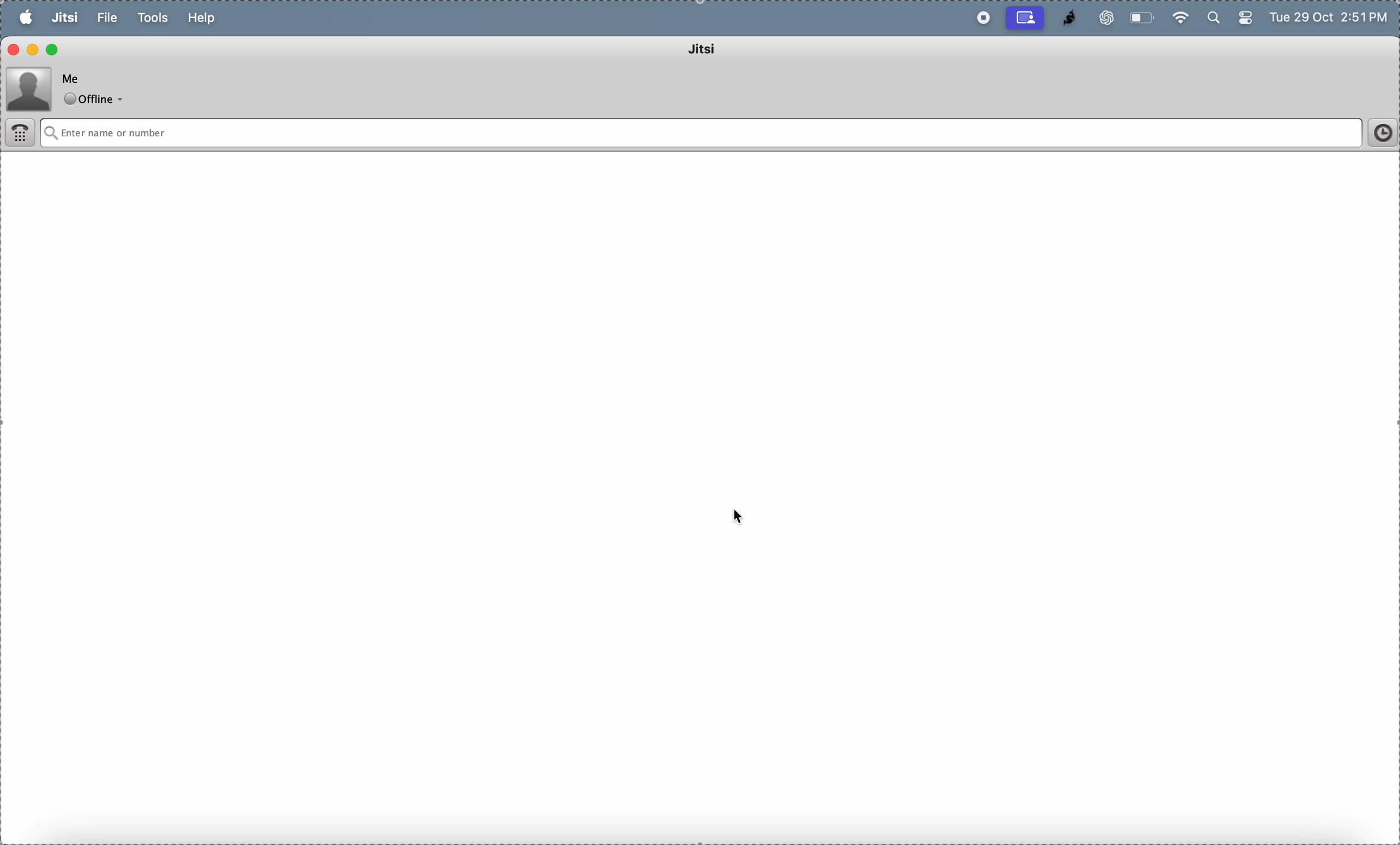  I want to click on cursor, so click(745, 521).